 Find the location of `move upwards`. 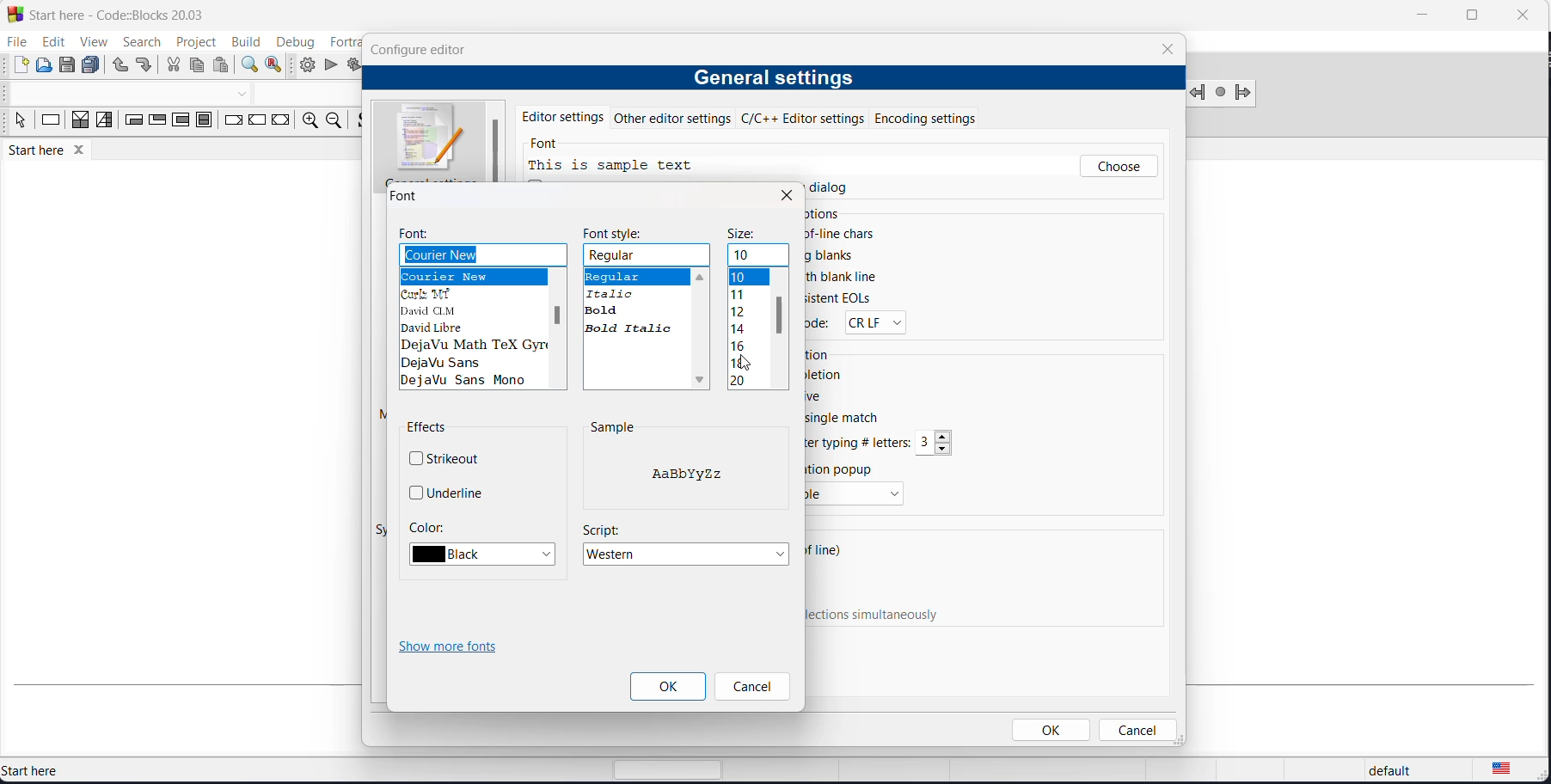

move upwards is located at coordinates (701, 275).